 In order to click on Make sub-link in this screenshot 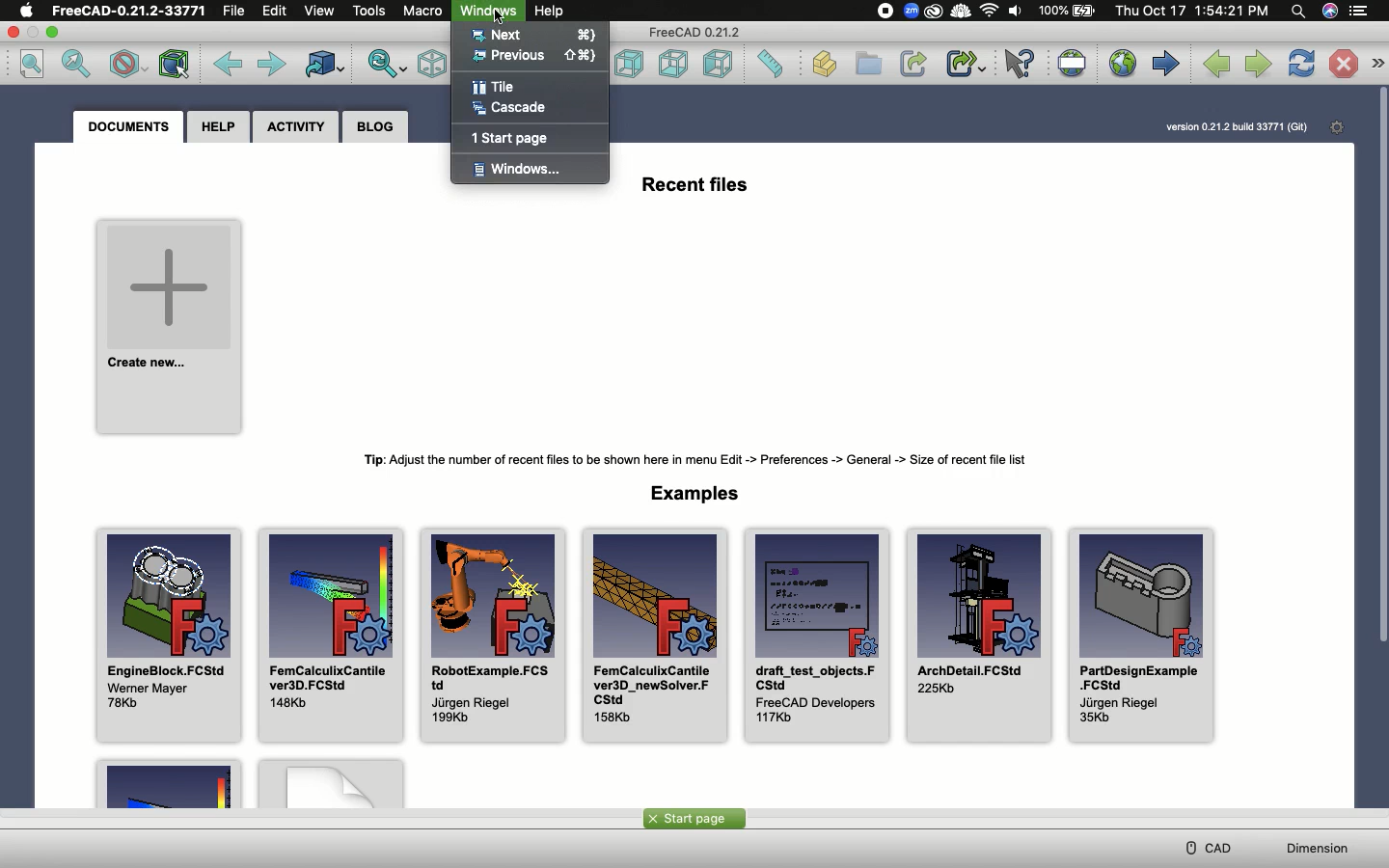, I will do `click(967, 65)`.